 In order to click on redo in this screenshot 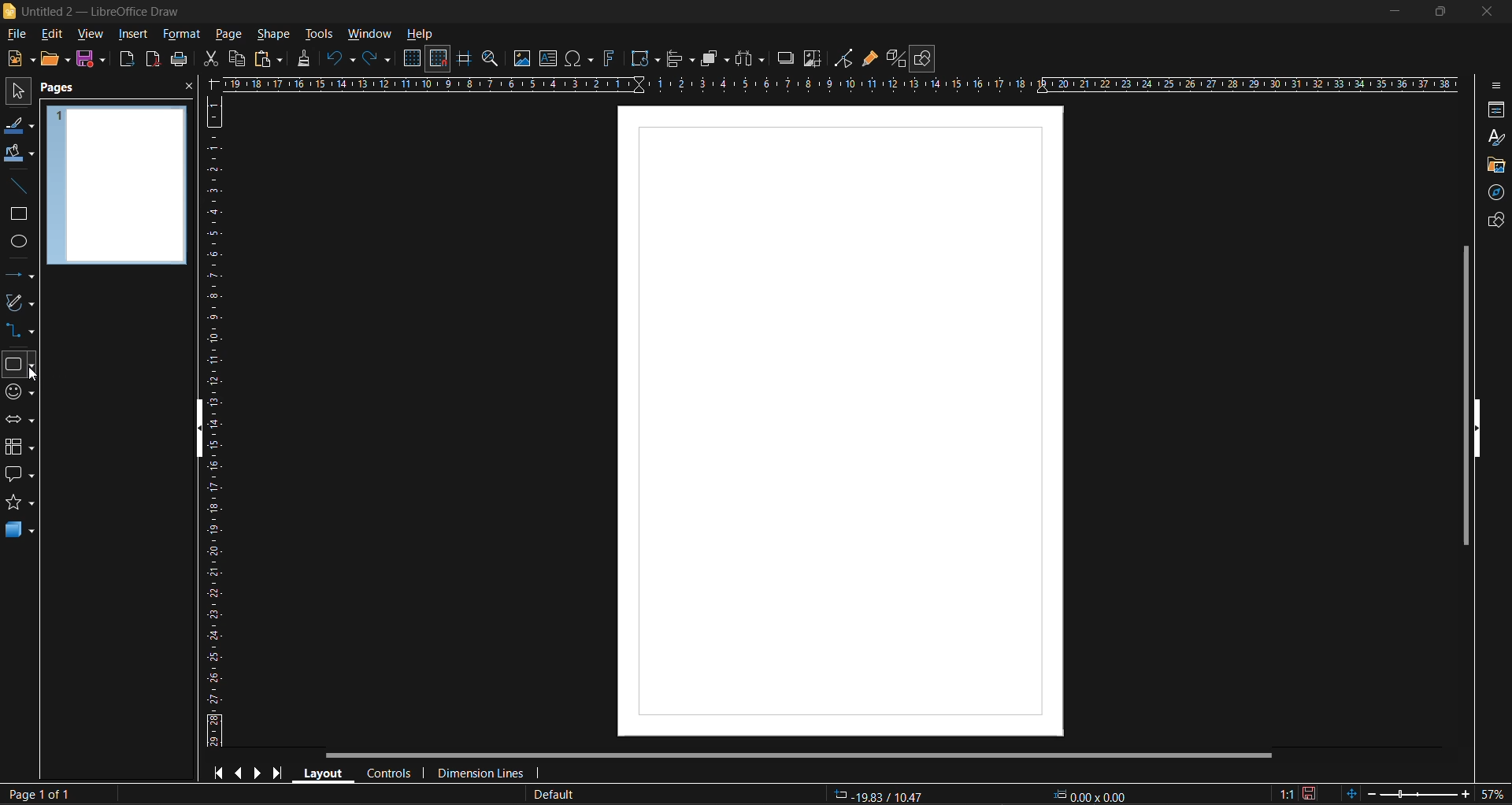, I will do `click(377, 60)`.